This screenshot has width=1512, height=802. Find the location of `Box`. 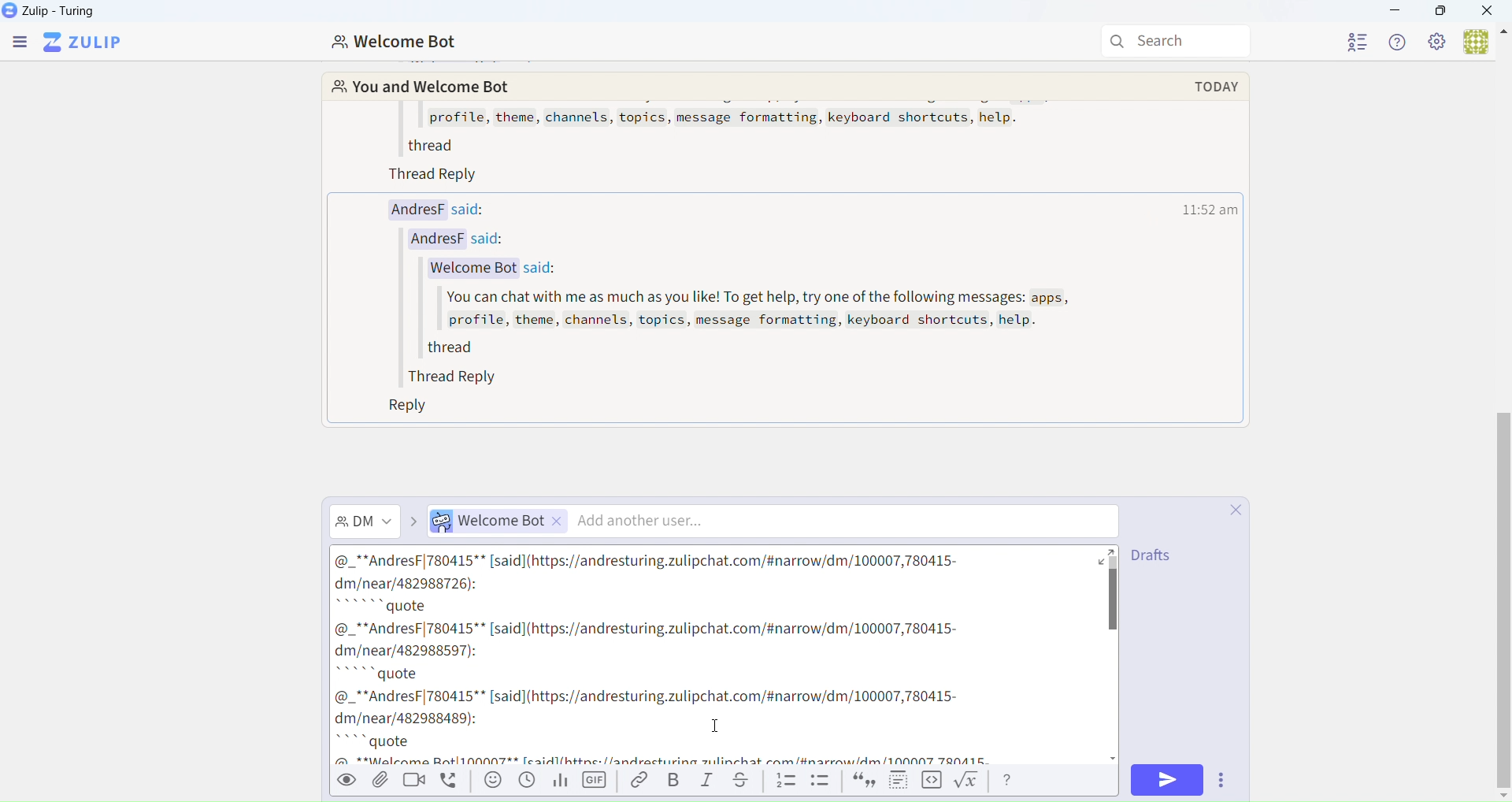

Box is located at coordinates (1441, 12).